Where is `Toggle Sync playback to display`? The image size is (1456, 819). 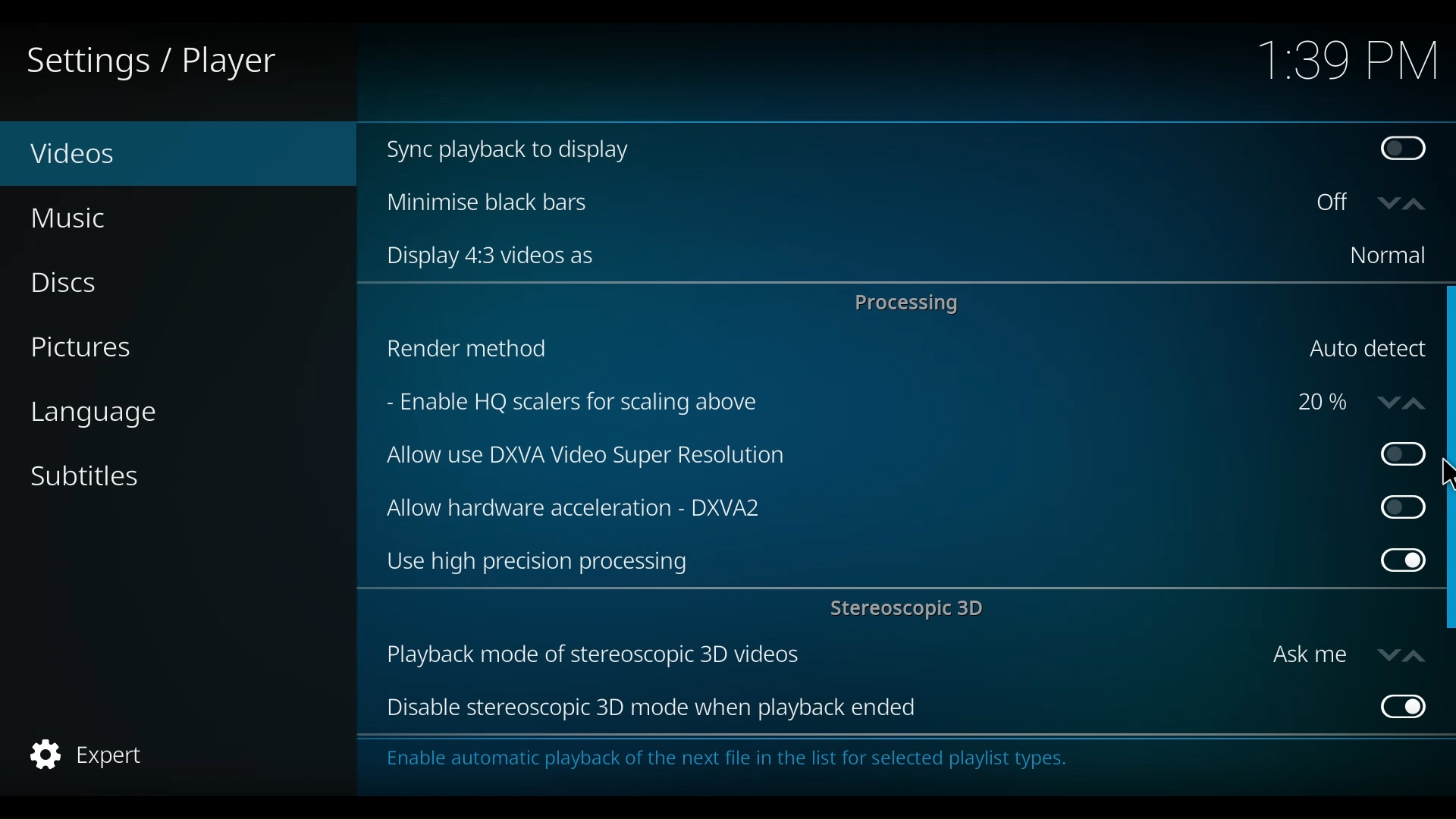
Toggle Sync playback to display is located at coordinates (1407, 151).